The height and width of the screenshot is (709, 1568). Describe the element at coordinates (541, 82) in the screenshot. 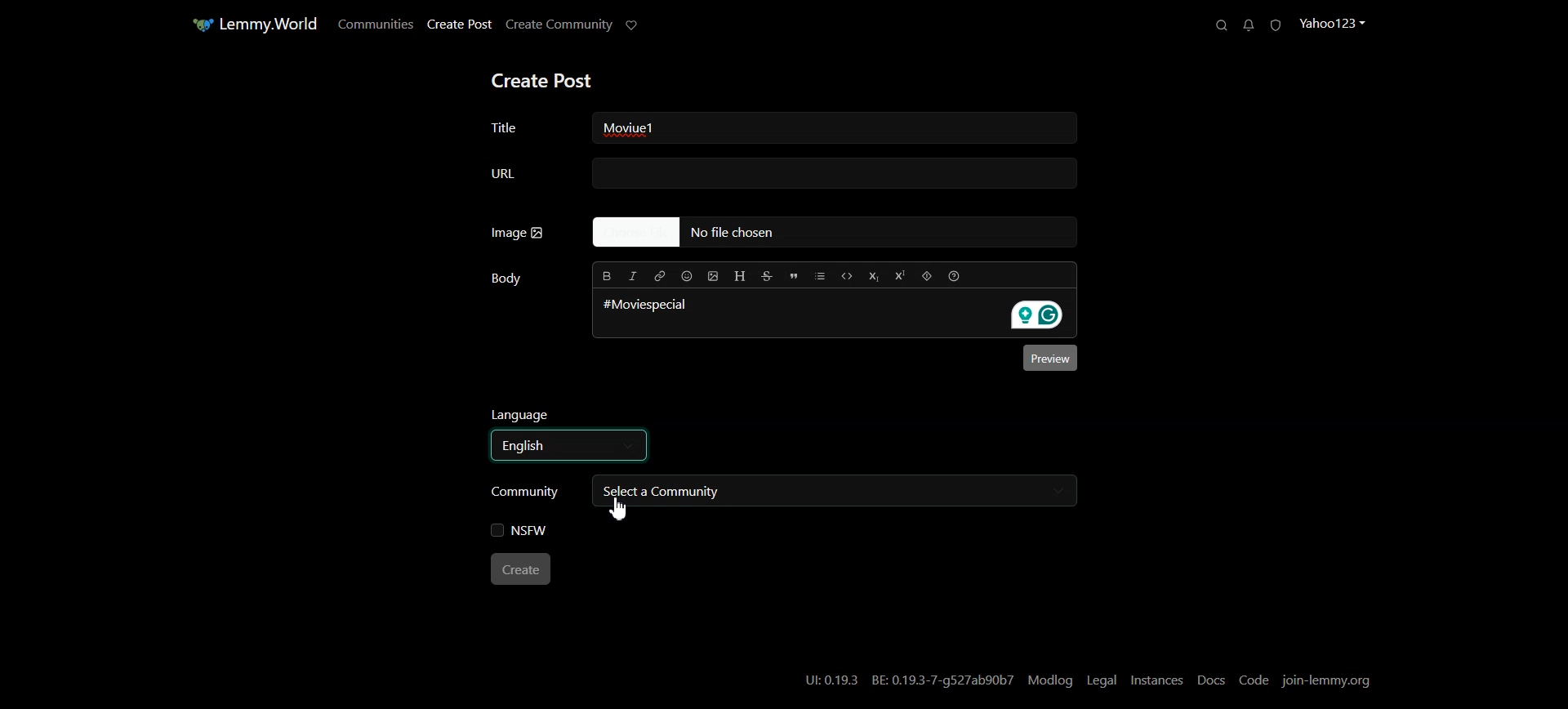

I see `Create Post` at that location.